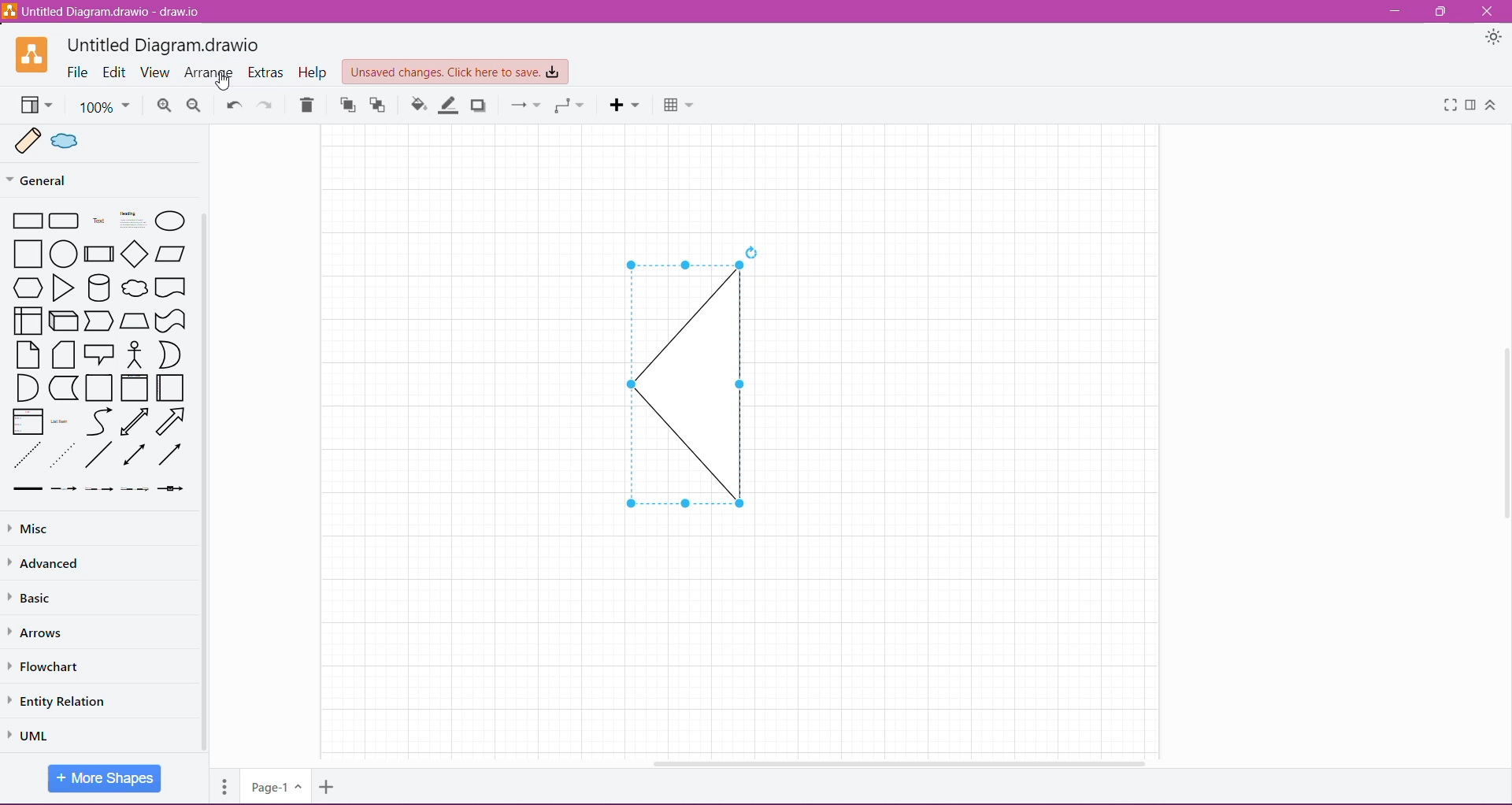 The image size is (1512, 805). Describe the element at coordinates (1503, 417) in the screenshot. I see `Vertical Scroll Bar` at that location.